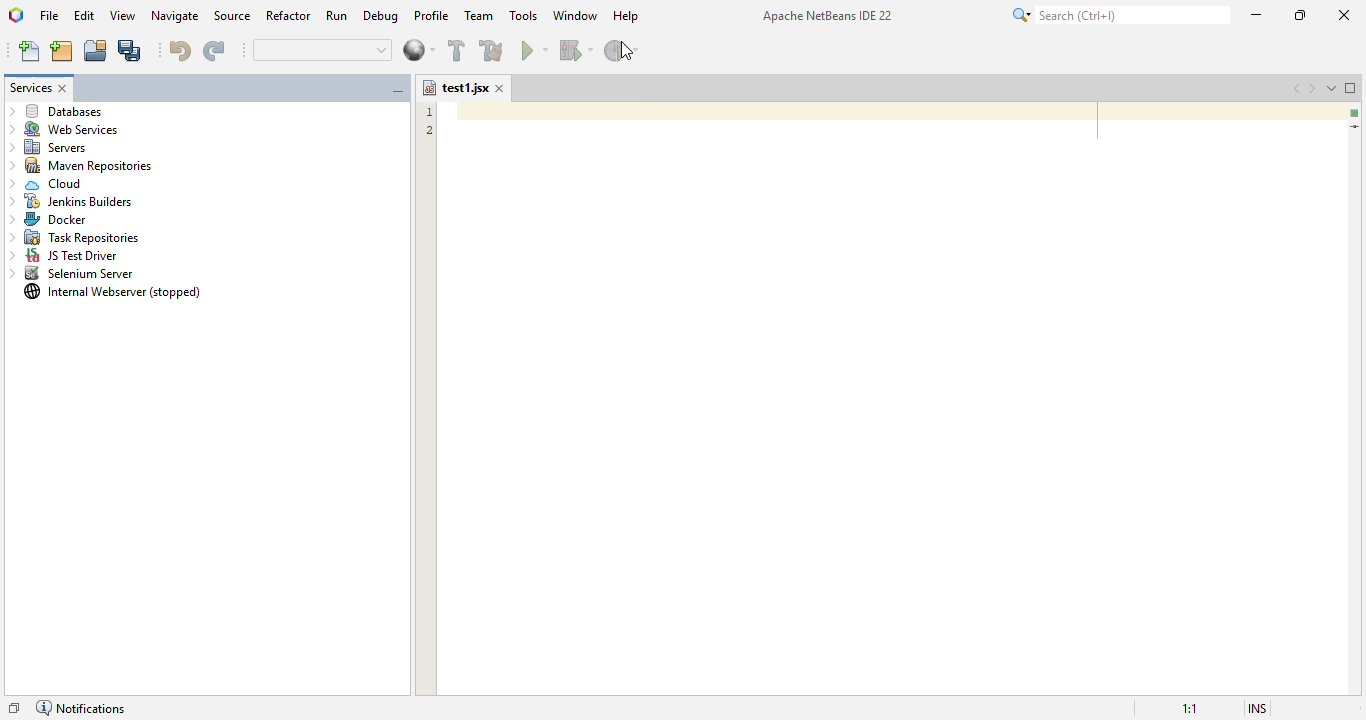  I want to click on debug project, so click(577, 50).